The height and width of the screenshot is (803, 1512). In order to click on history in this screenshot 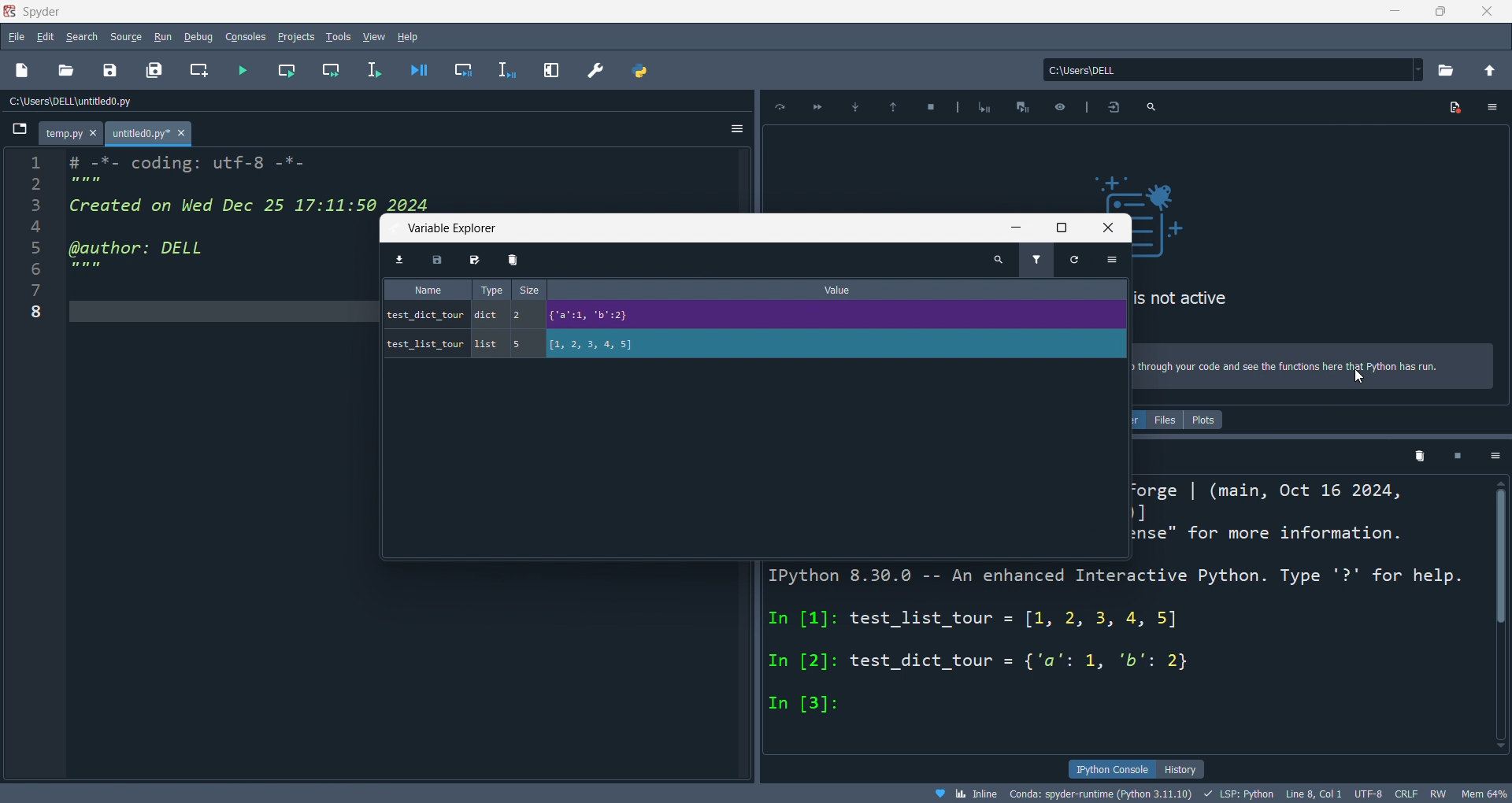, I will do `click(1183, 768)`.